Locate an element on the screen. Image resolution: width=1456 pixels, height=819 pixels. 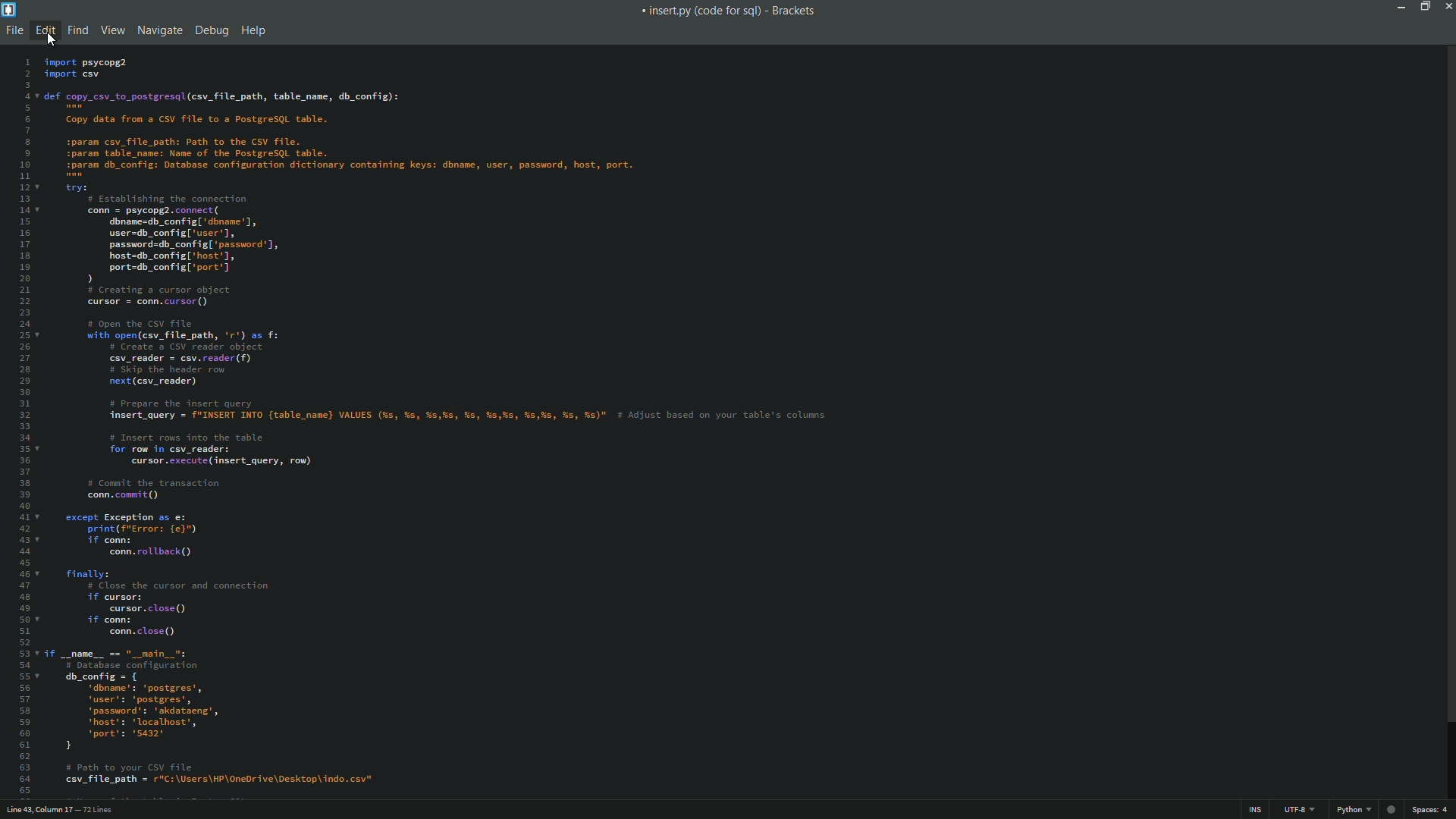
view menu is located at coordinates (111, 30).